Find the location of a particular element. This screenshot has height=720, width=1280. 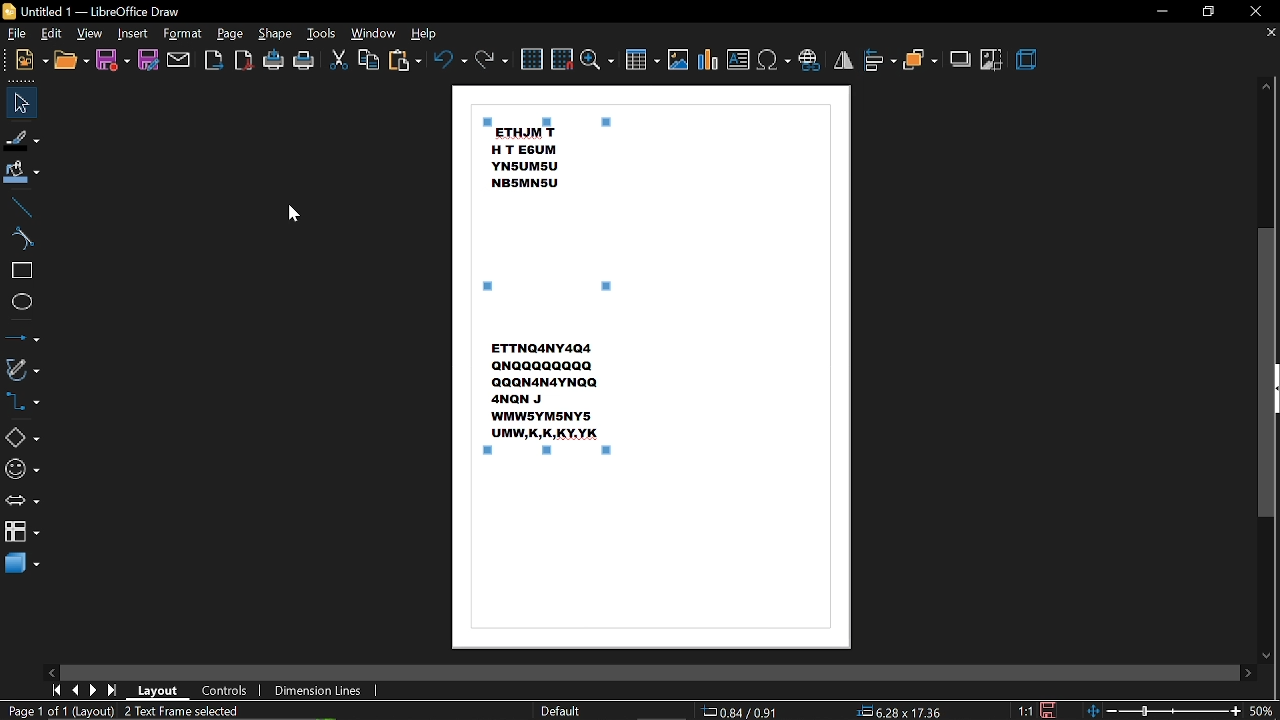

ellipse is located at coordinates (21, 302).